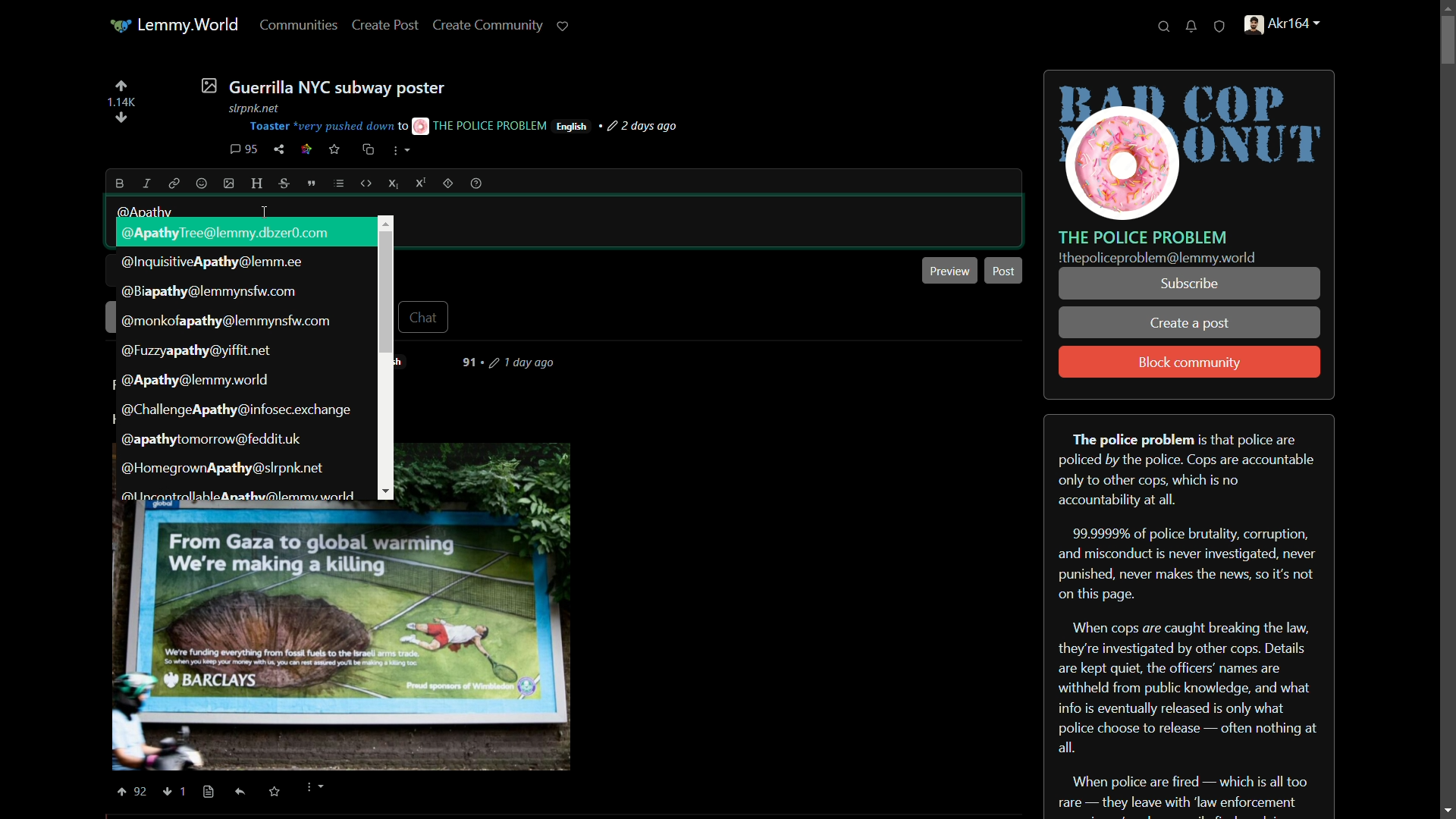 The width and height of the screenshot is (1456, 819). What do you see at coordinates (215, 262) in the screenshot?
I see `suggestion-2` at bounding box center [215, 262].